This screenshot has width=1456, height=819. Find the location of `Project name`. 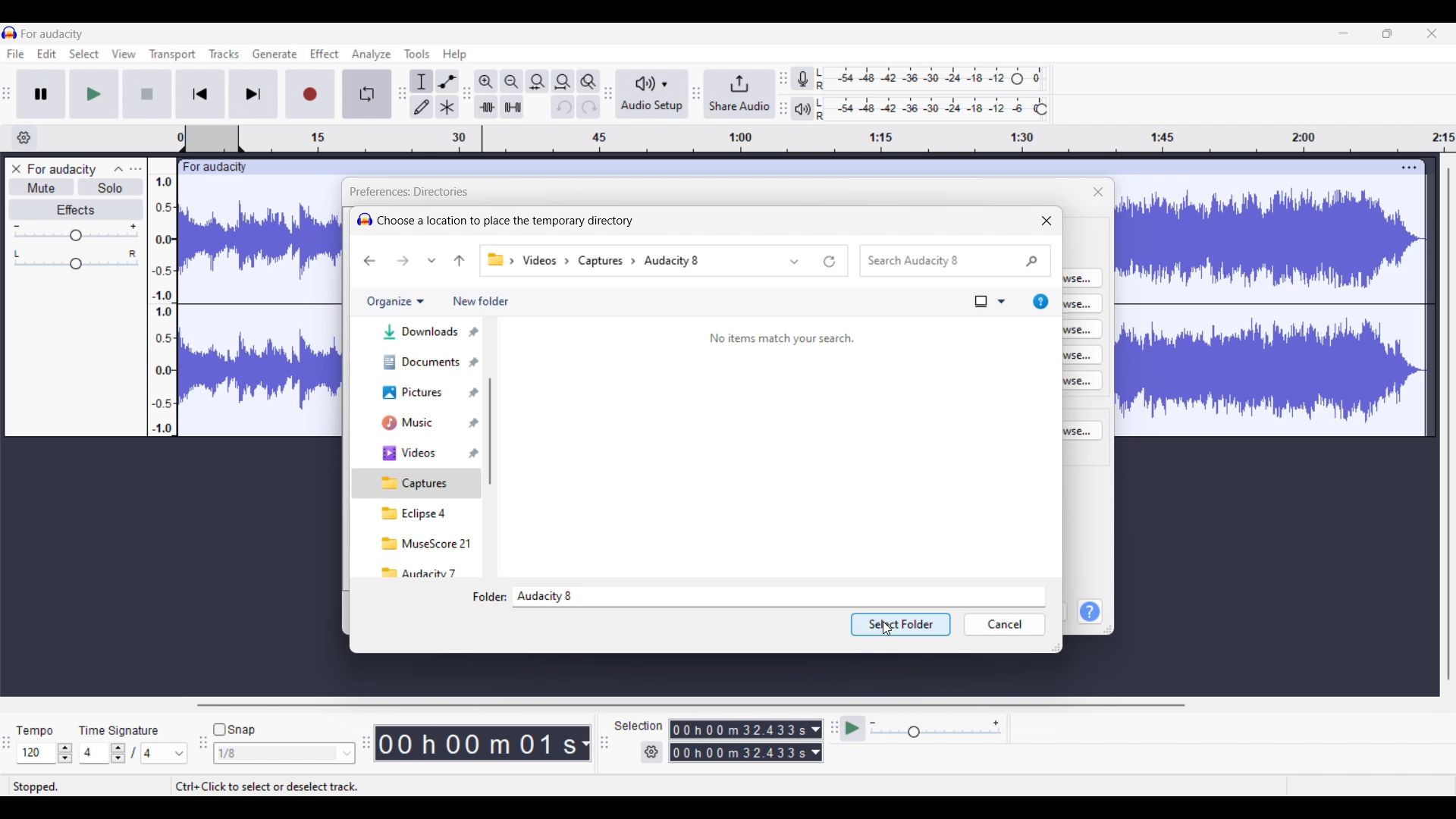

Project name is located at coordinates (213, 168).